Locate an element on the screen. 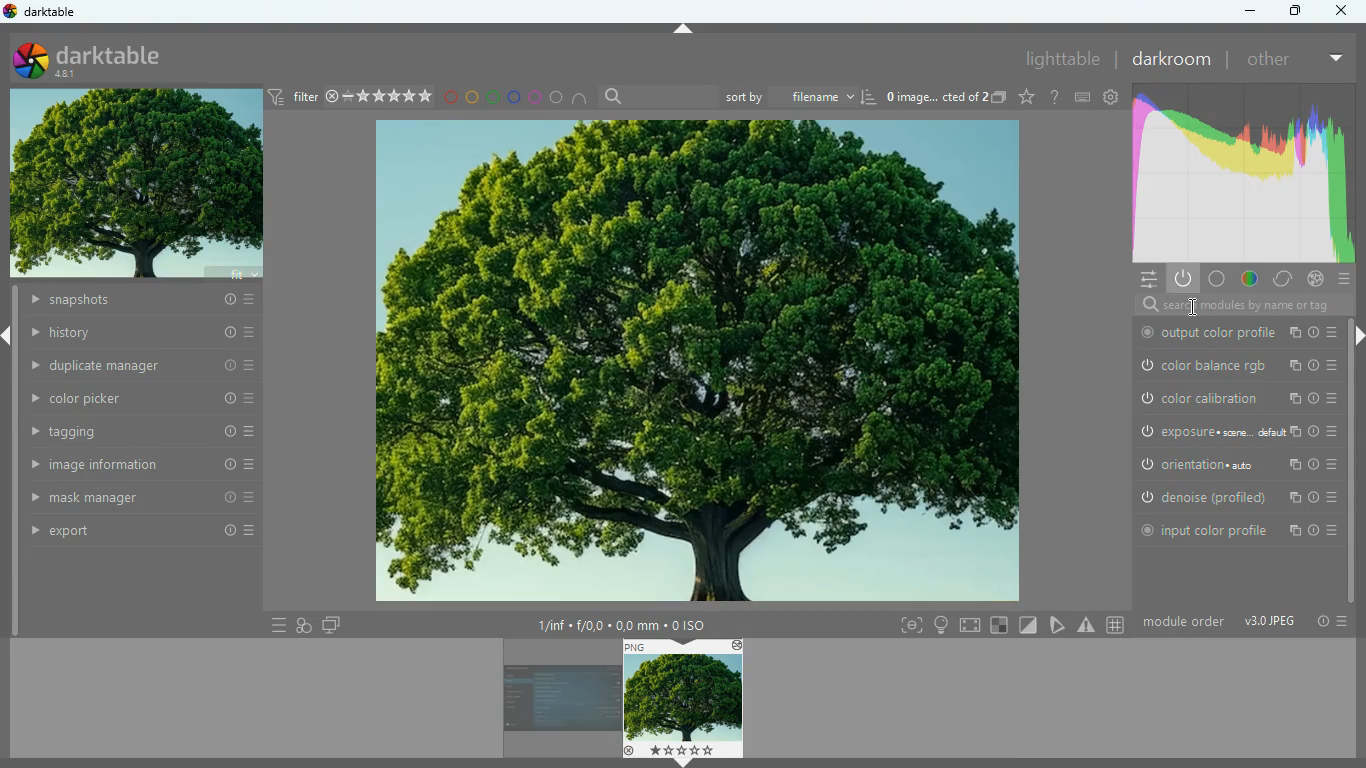  image is located at coordinates (134, 182).